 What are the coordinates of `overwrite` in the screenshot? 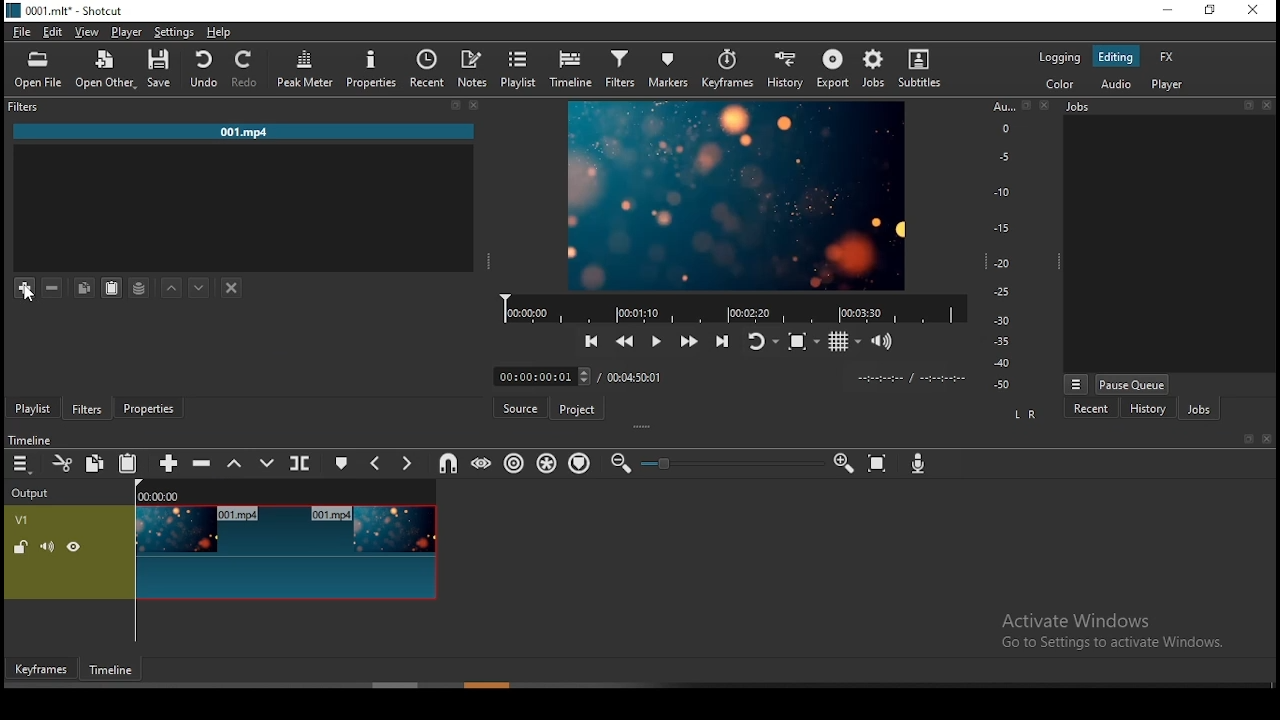 It's located at (270, 462).